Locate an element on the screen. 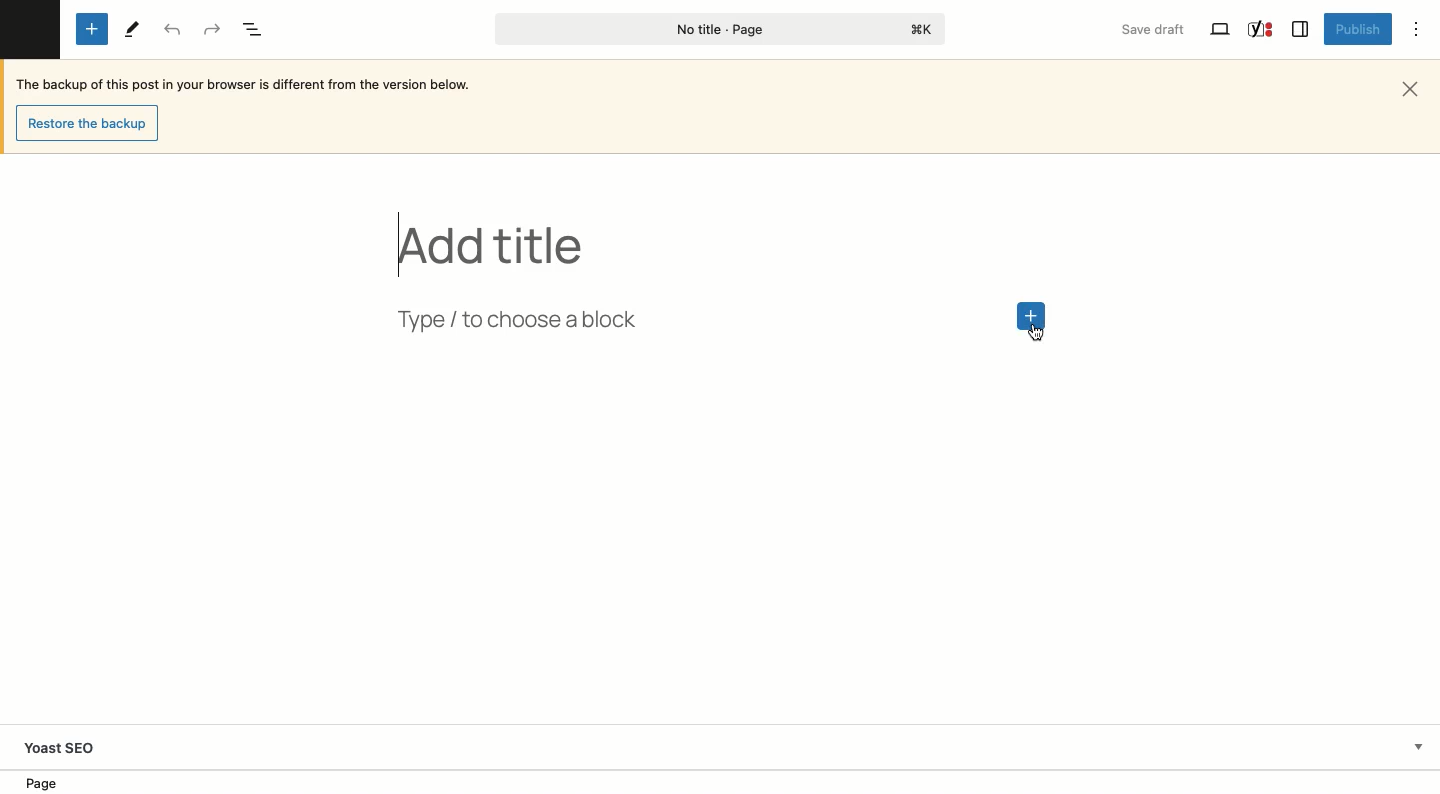 The width and height of the screenshot is (1440, 794). Restore the backup is located at coordinates (89, 123).